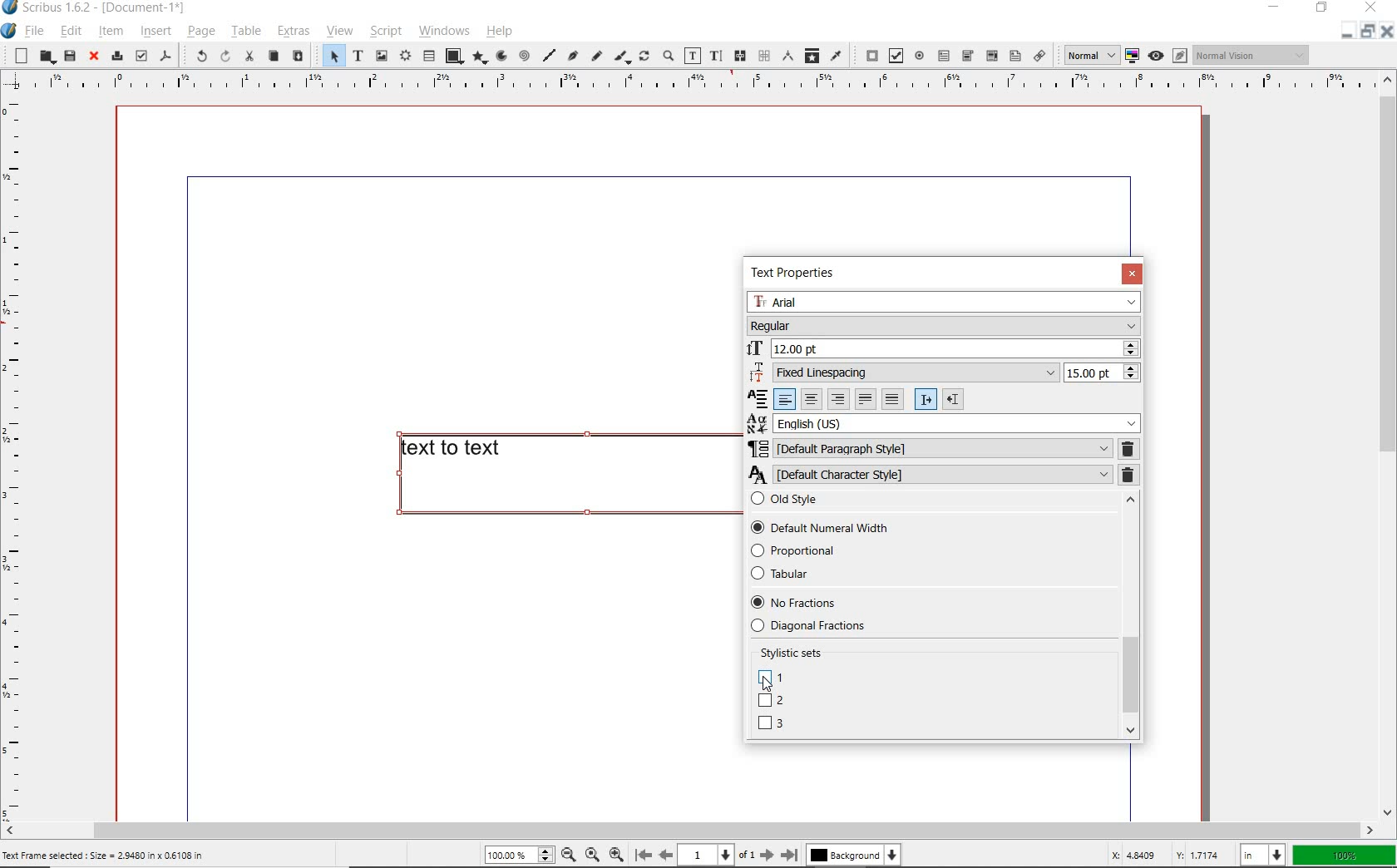 The width and height of the screenshot is (1397, 868). Describe the element at coordinates (23, 458) in the screenshot. I see `Horizontal page margin` at that location.